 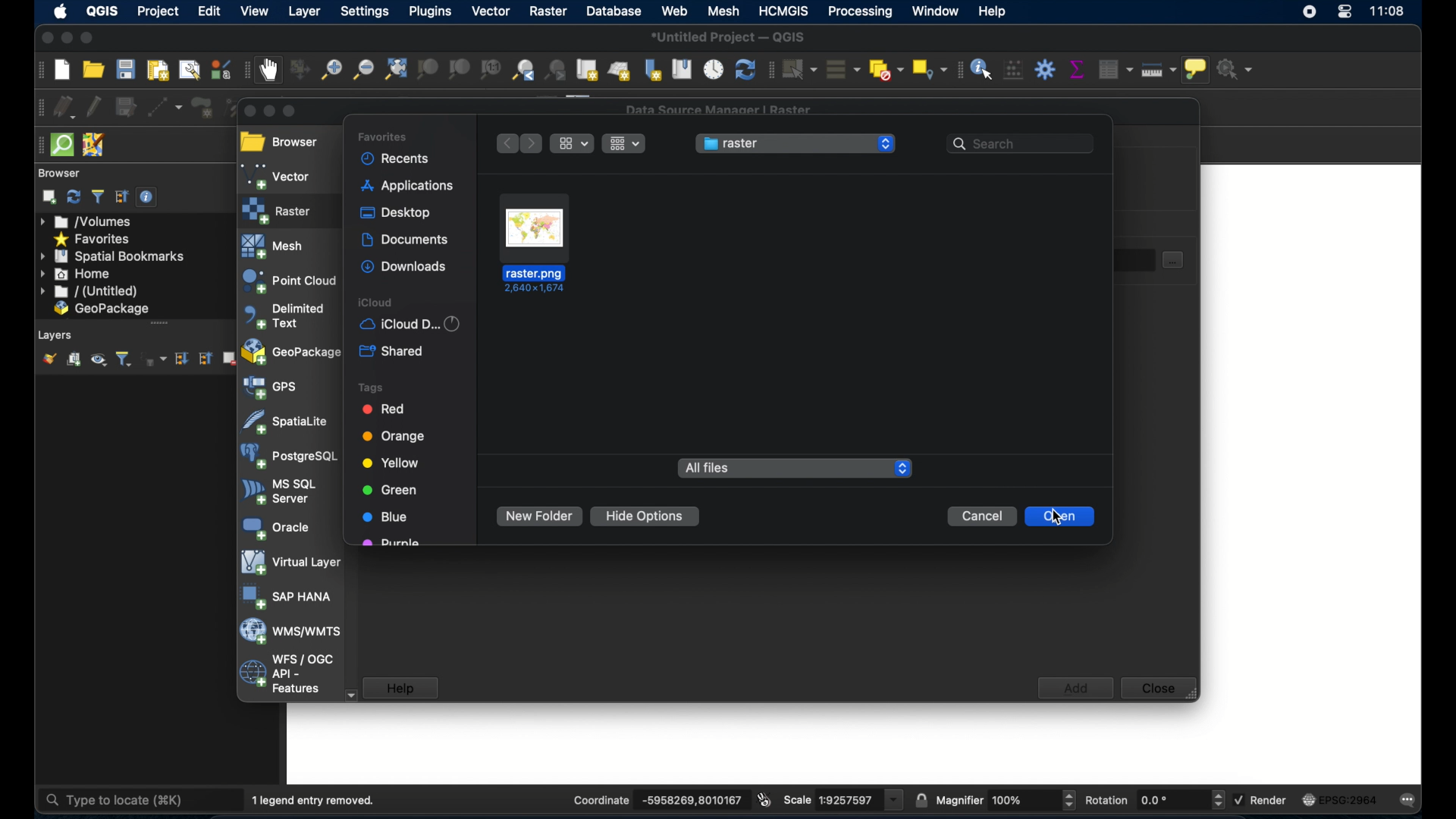 I want to click on project, so click(x=158, y=11).